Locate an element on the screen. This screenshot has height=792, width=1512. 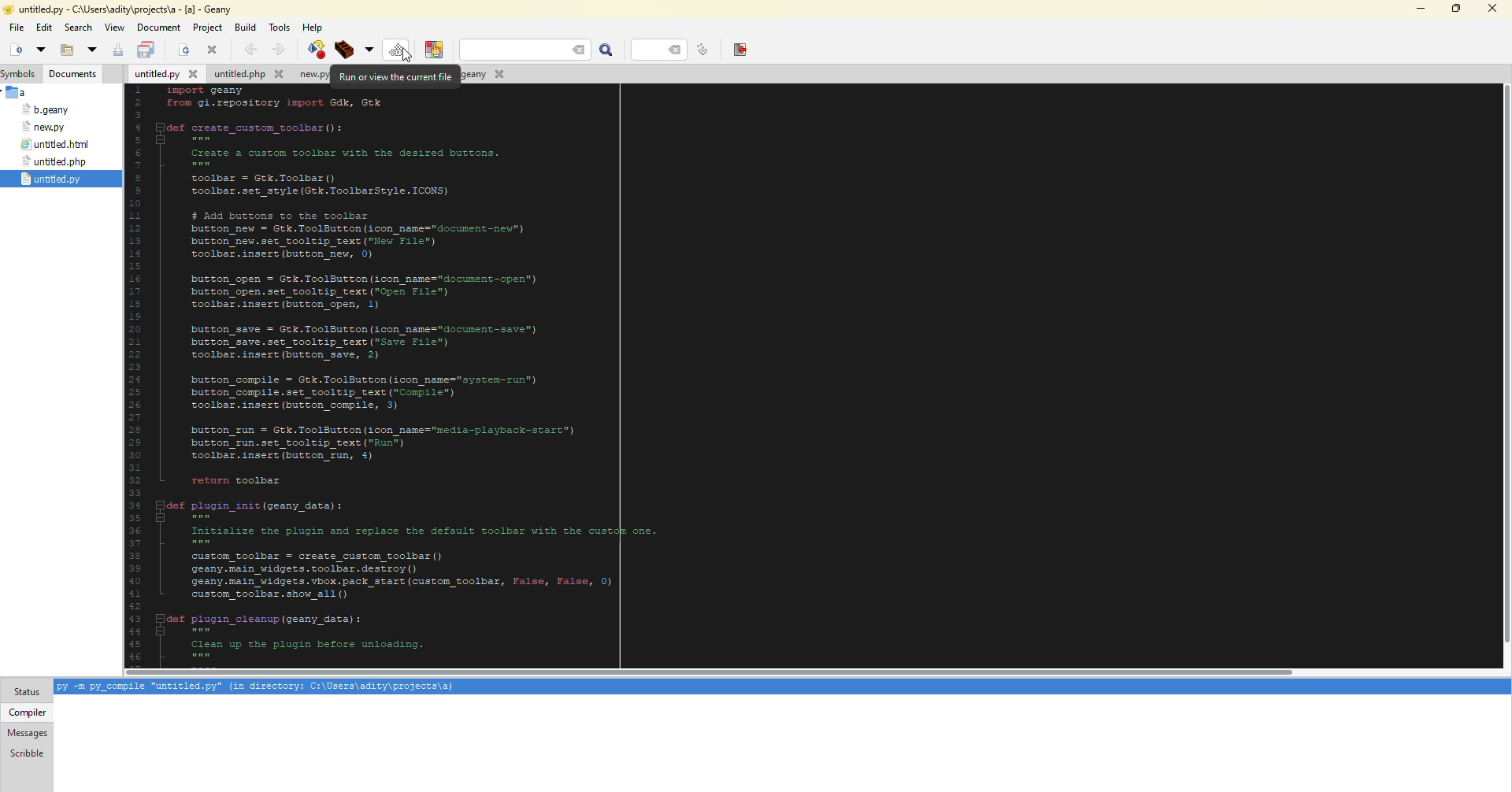
file is located at coordinates (244, 75).